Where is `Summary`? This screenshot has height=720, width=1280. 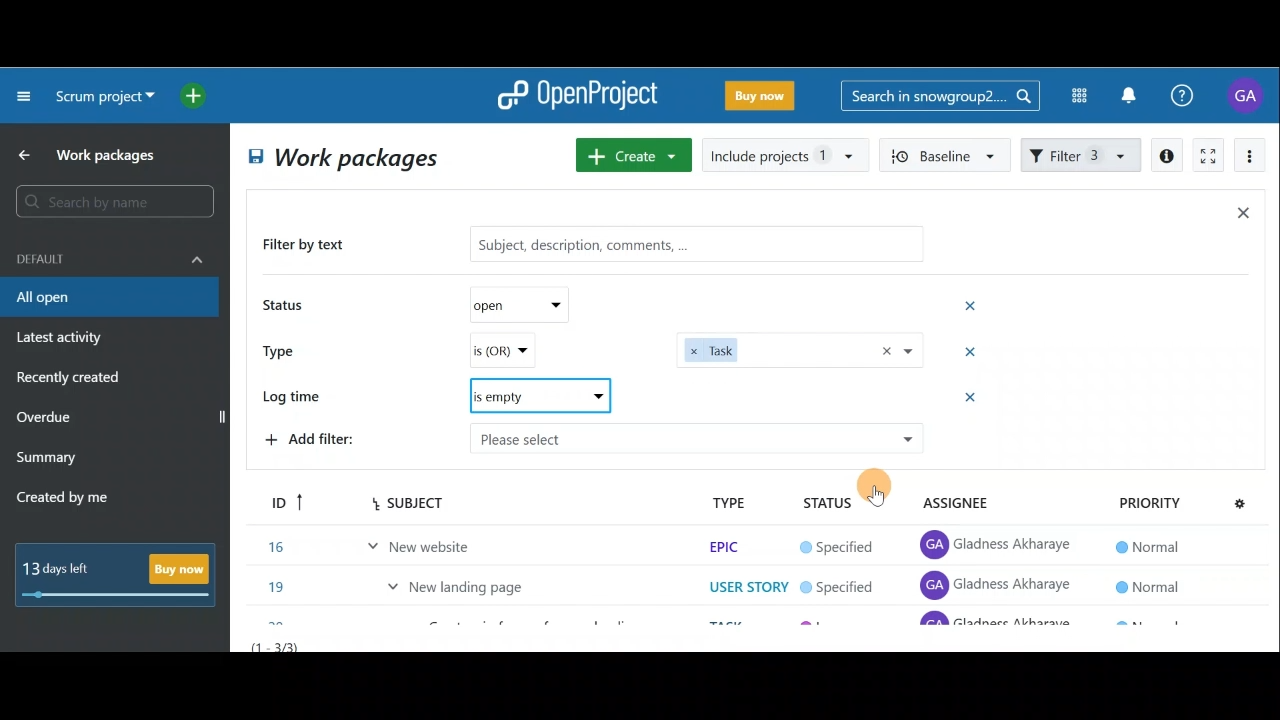 Summary is located at coordinates (47, 460).